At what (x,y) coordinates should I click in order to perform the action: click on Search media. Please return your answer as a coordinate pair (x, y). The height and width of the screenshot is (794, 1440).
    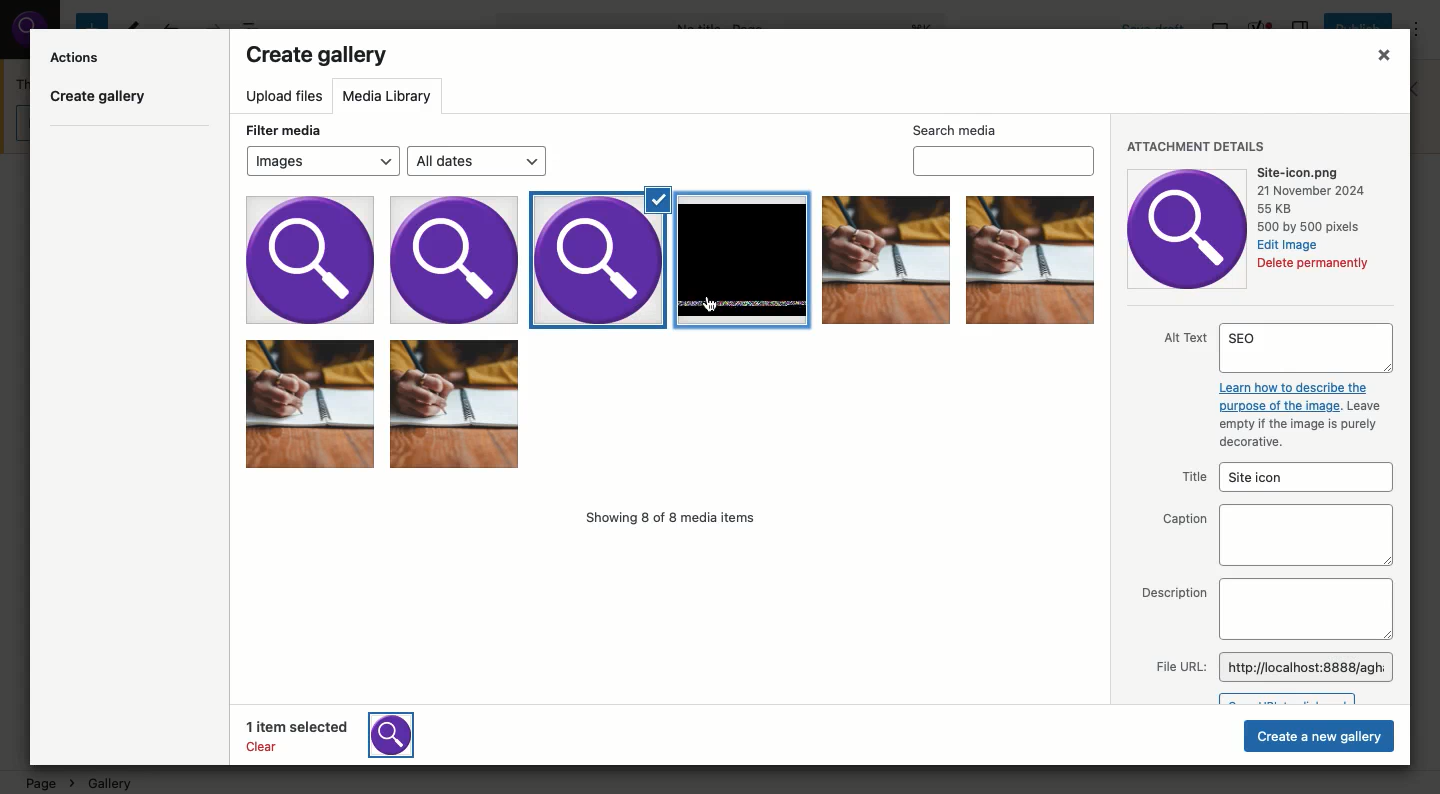
    Looking at the image, I should click on (1004, 147).